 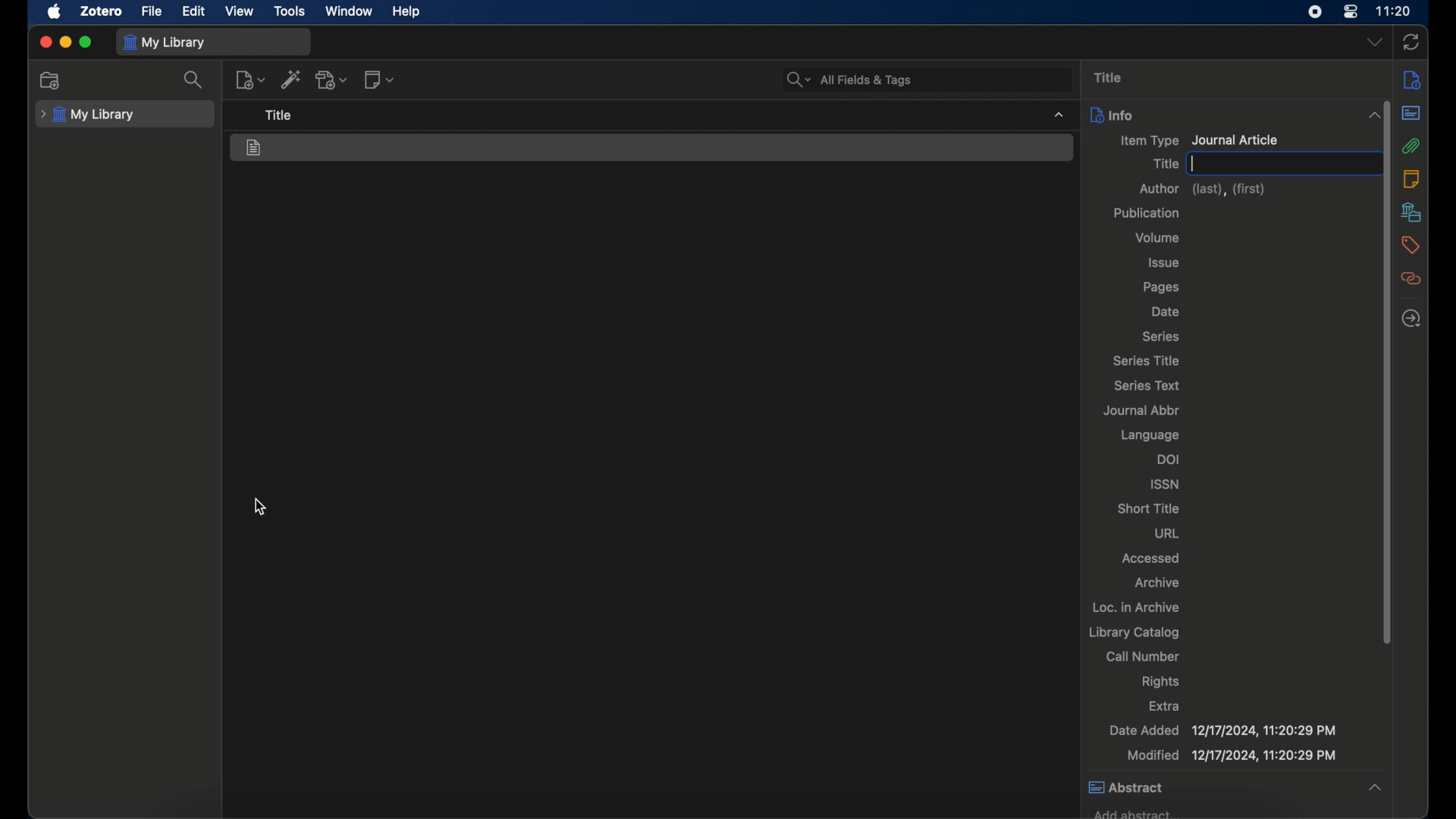 I want to click on accessed, so click(x=1151, y=558).